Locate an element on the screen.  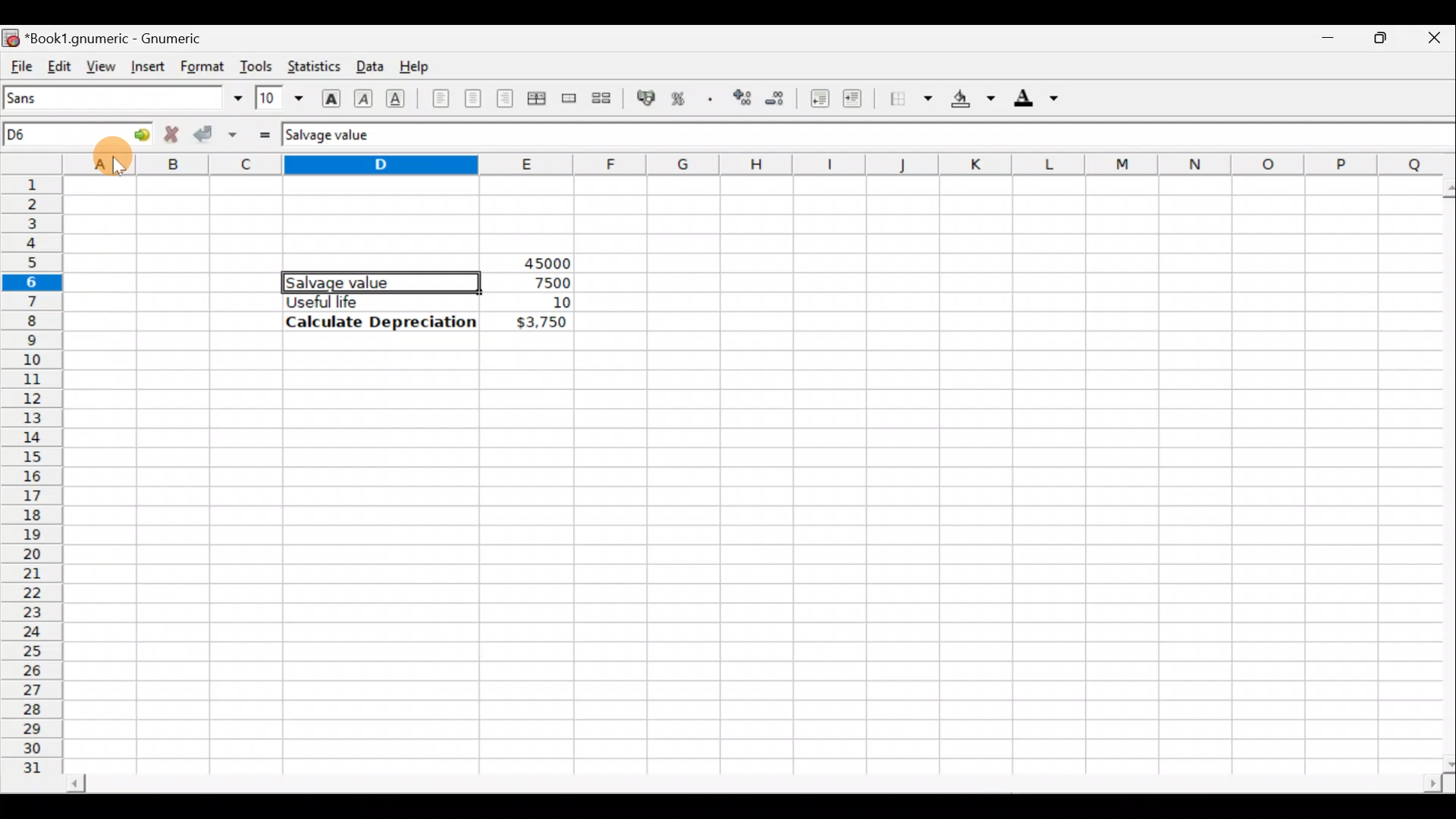
Reject change is located at coordinates (167, 135).